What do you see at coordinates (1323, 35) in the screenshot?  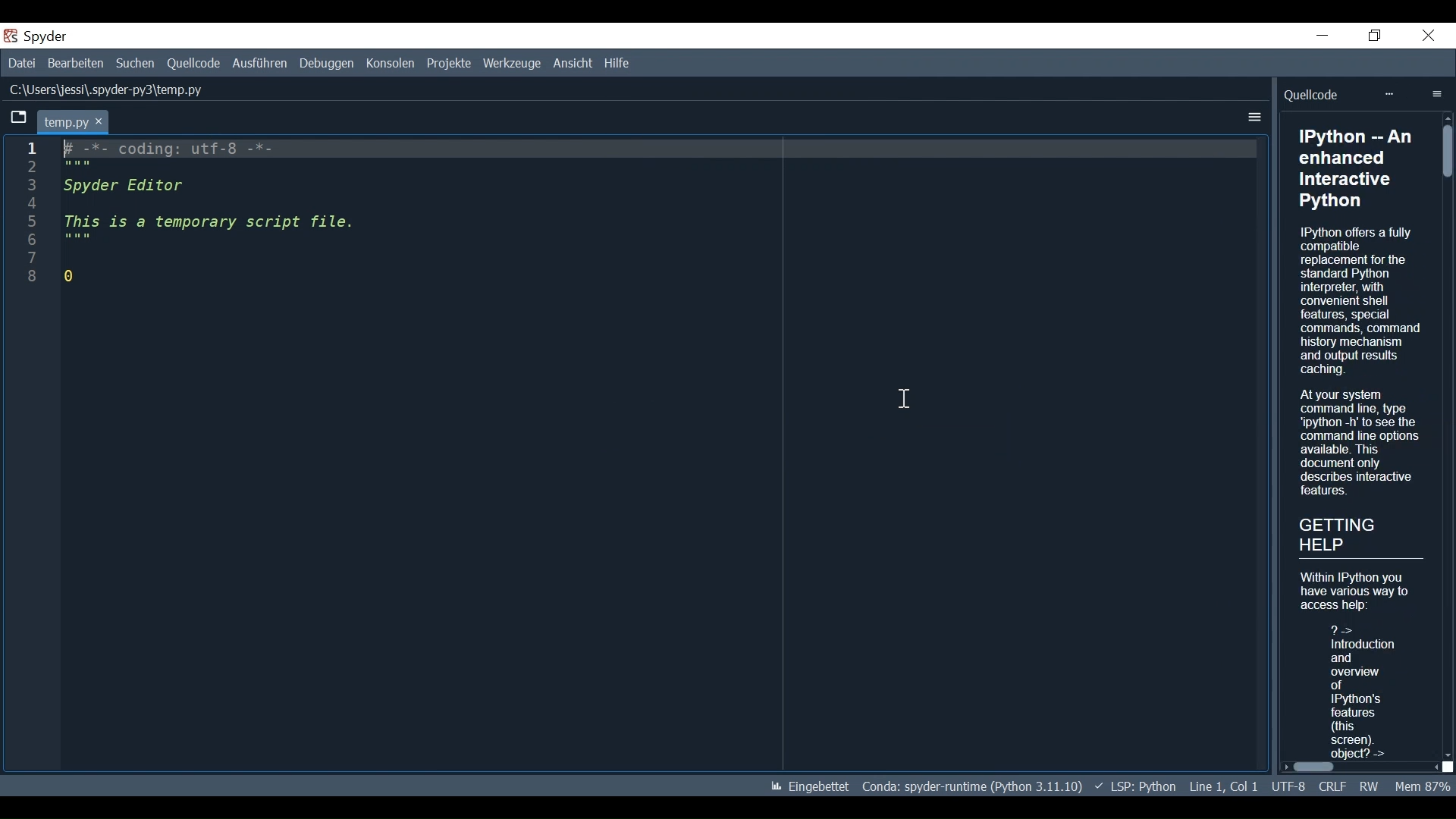 I see `Minimize` at bounding box center [1323, 35].